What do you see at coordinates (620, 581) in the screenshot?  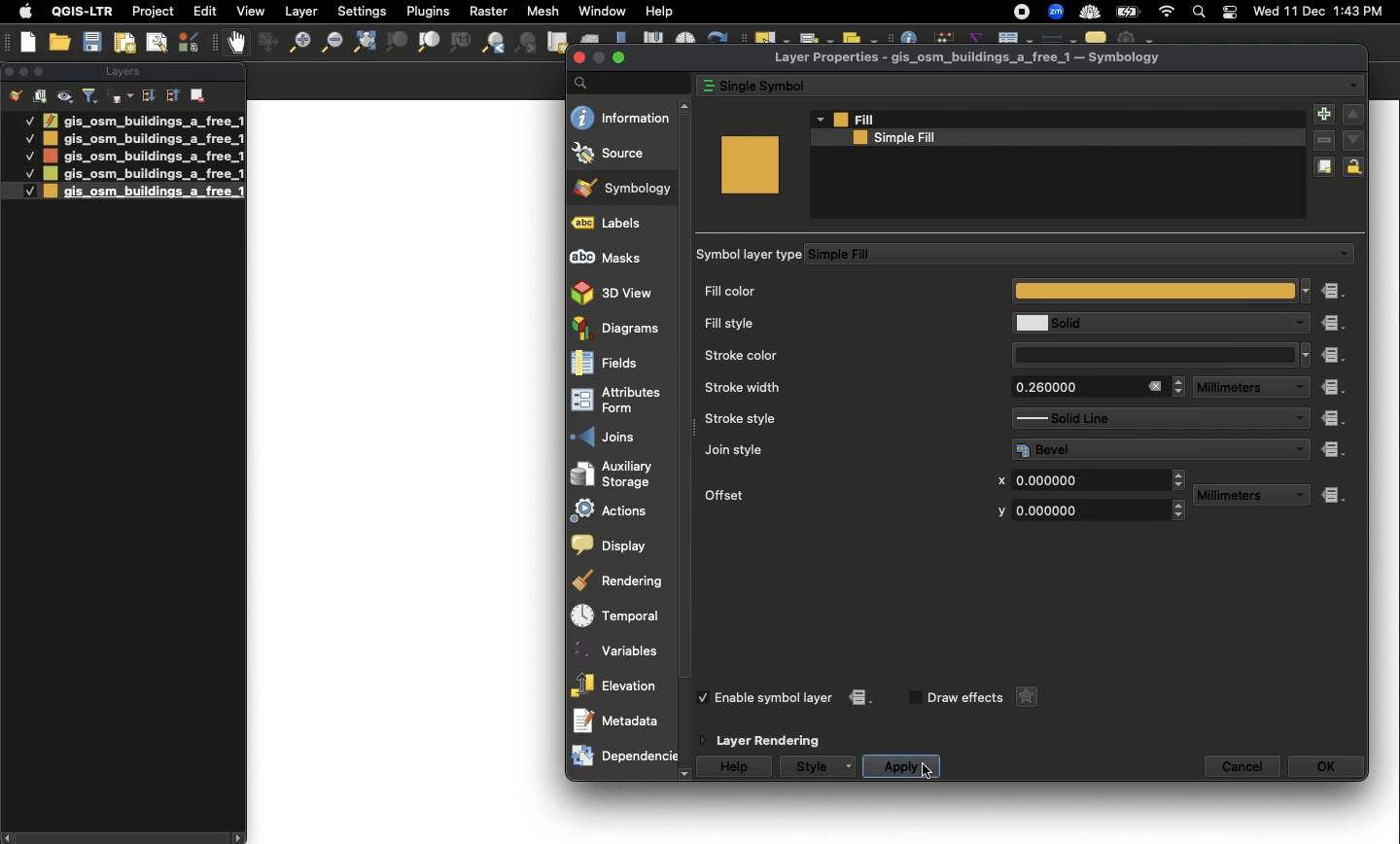 I see `Rendering` at bounding box center [620, 581].